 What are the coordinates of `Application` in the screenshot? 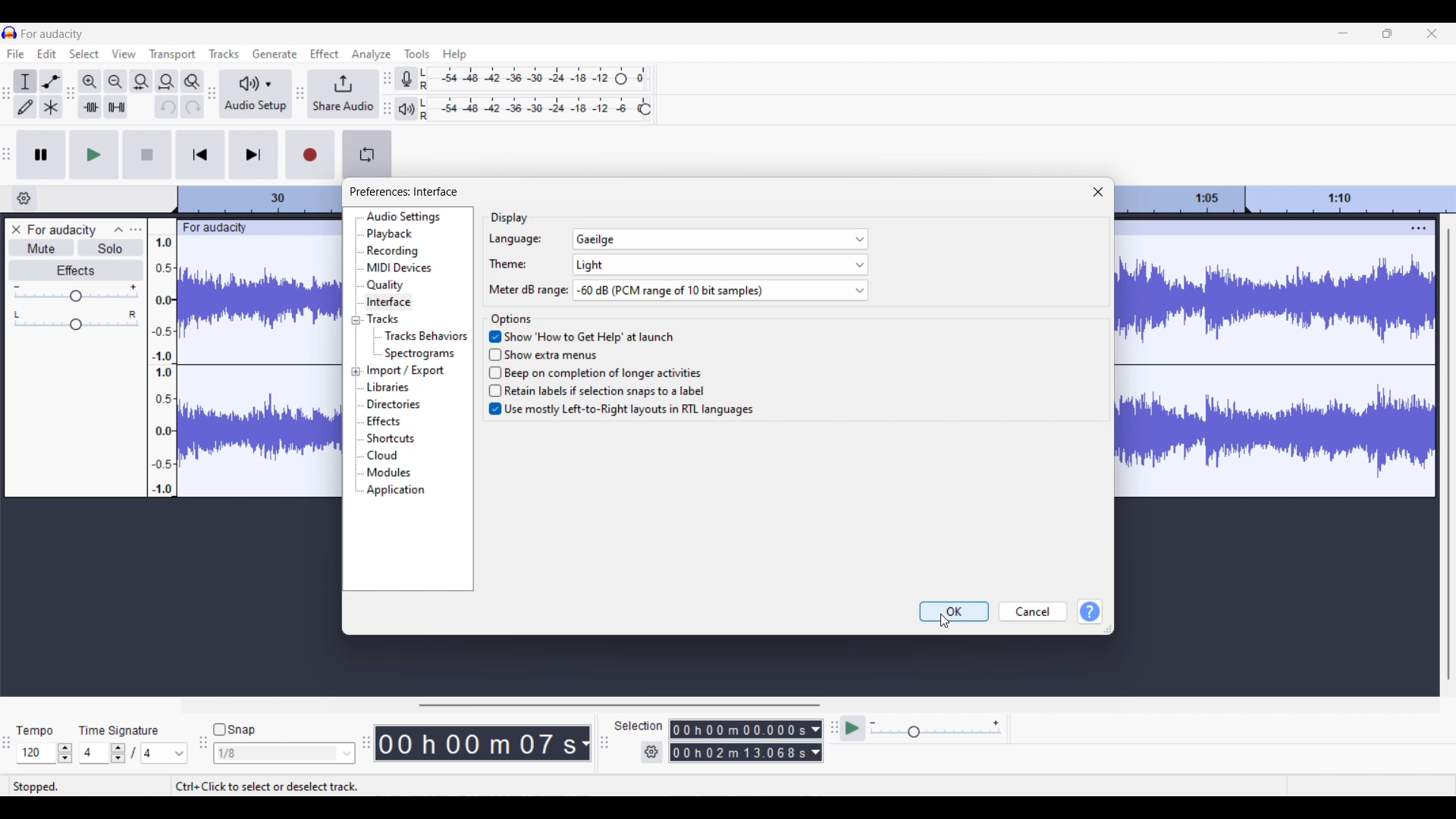 It's located at (396, 491).